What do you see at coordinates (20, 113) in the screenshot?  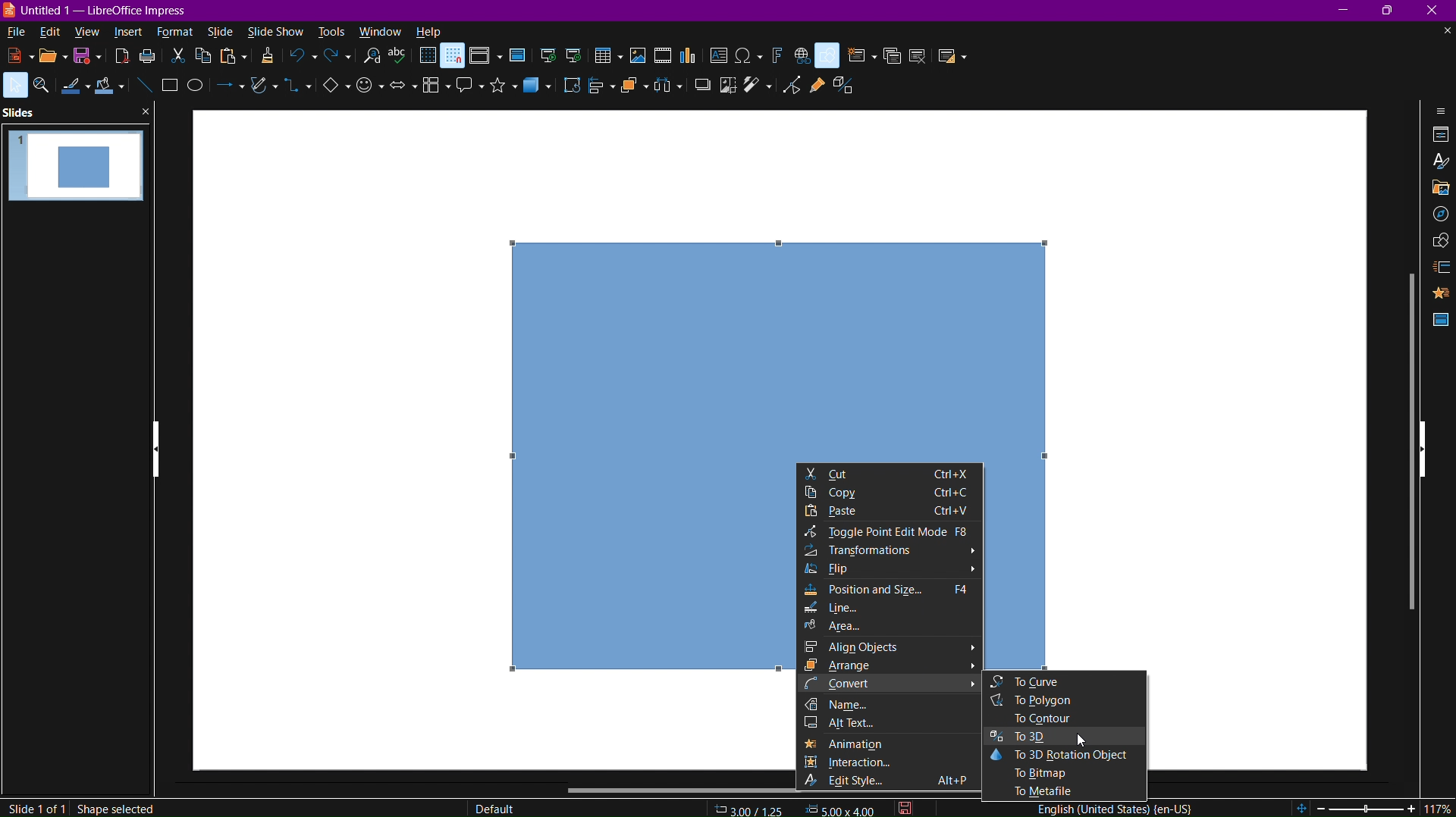 I see `Slides` at bounding box center [20, 113].